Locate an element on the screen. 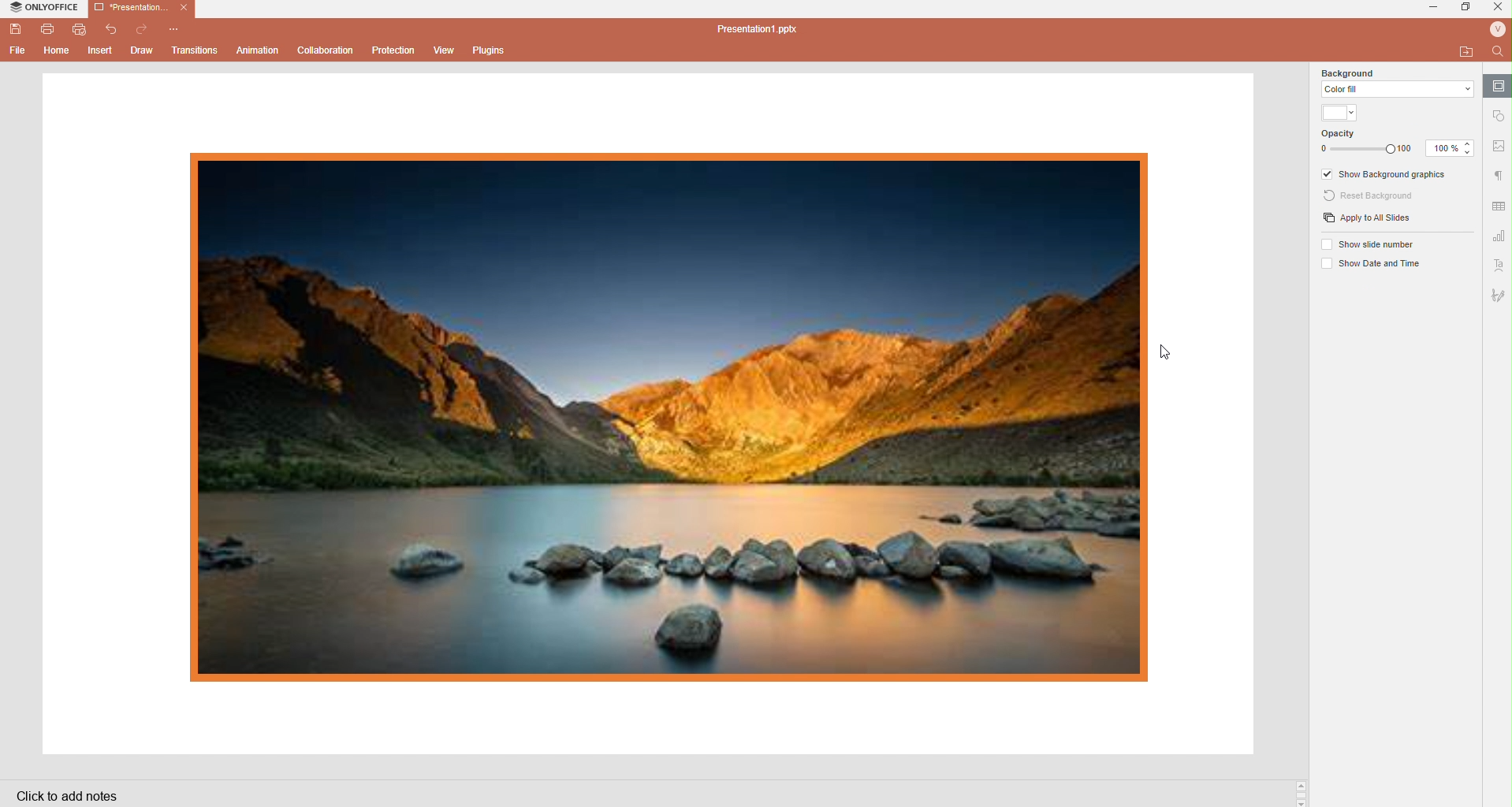  Paragraph settings is located at coordinates (1501, 176).